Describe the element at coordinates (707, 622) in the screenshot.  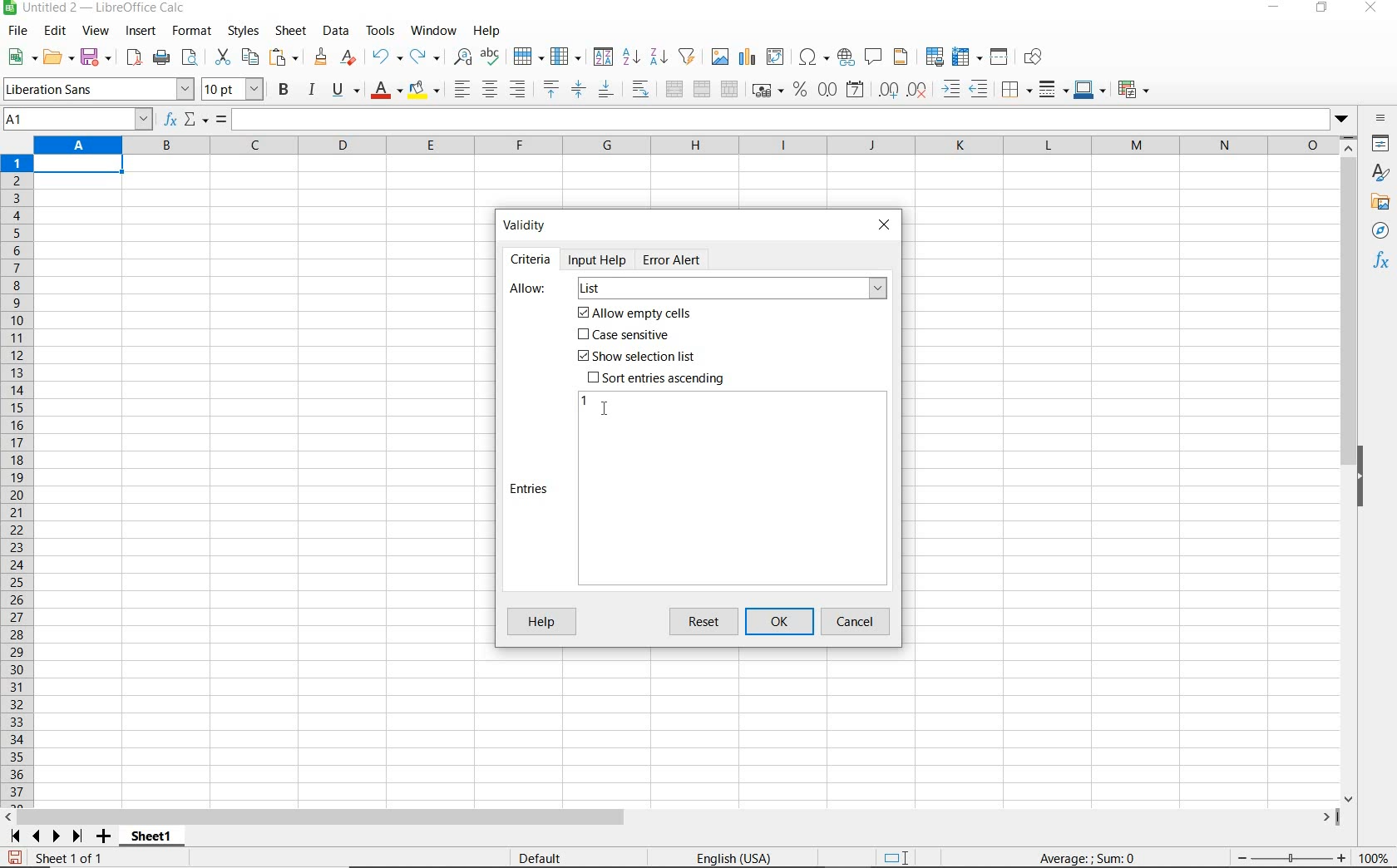
I see `reset` at that location.